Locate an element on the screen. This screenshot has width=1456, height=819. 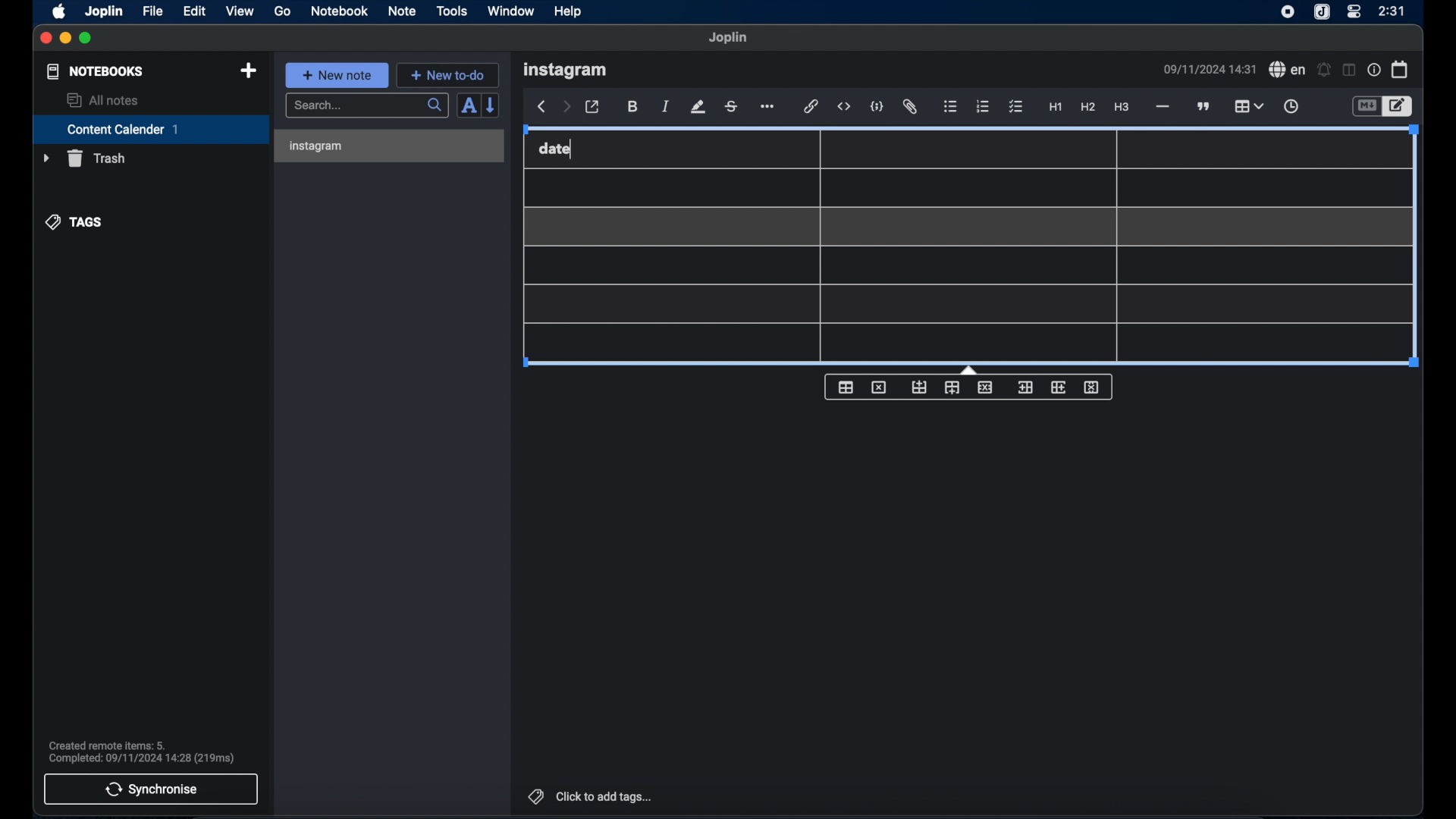
toggle external editor is located at coordinates (592, 107).